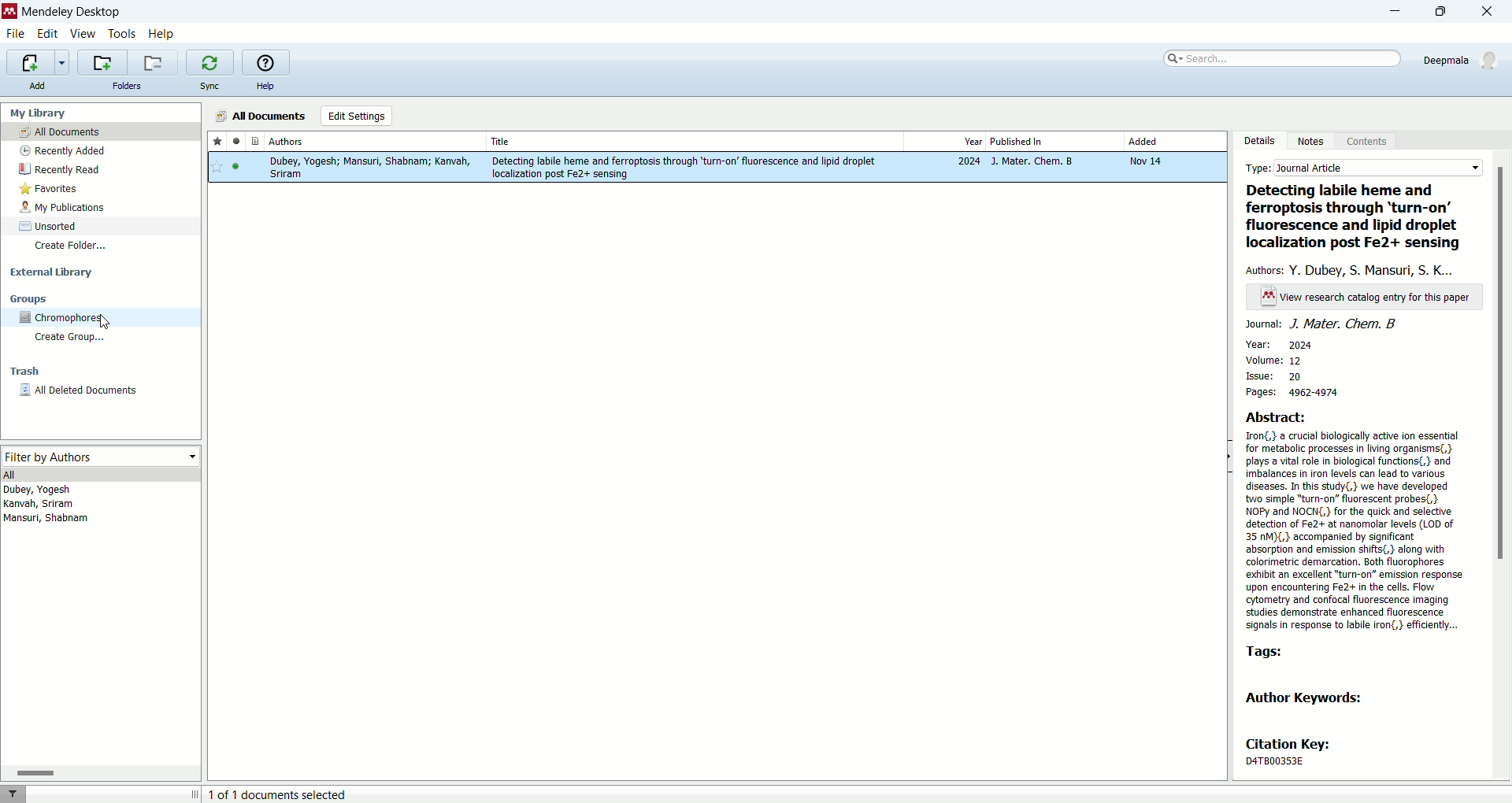 The width and height of the screenshot is (1512, 803). Describe the element at coordinates (1366, 298) in the screenshot. I see `text` at that location.